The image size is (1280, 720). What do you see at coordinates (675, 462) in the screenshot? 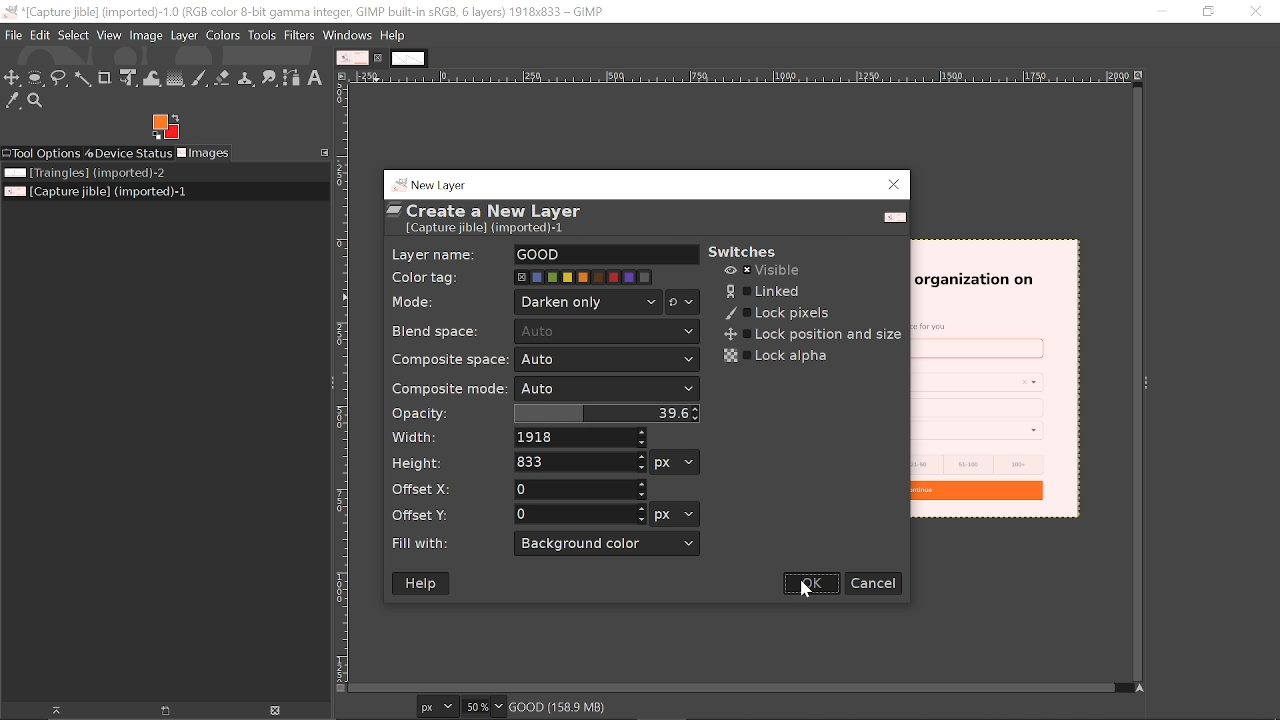
I see `Height Units` at bounding box center [675, 462].